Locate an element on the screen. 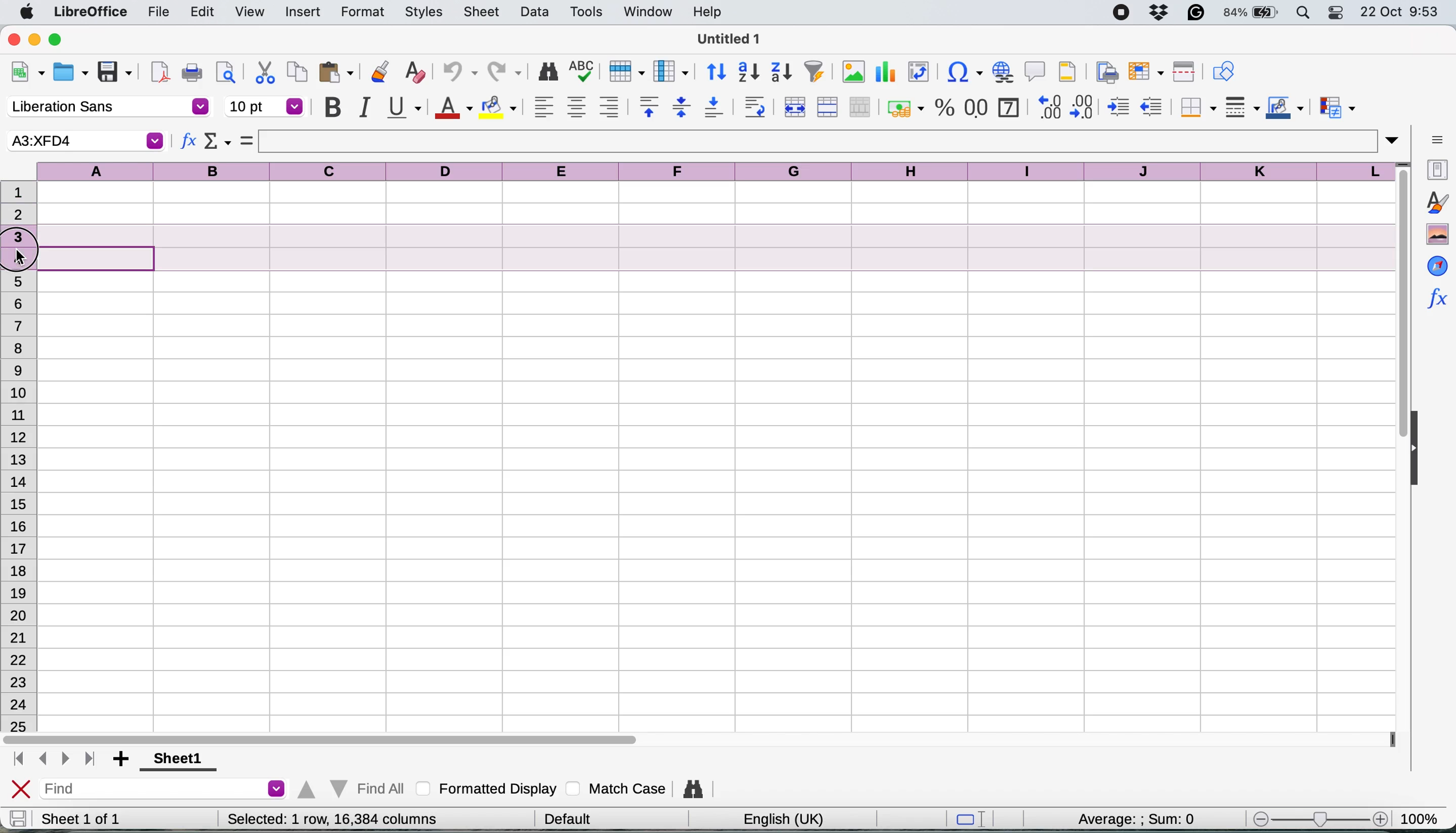 The image size is (1456, 833). system logo is located at coordinates (29, 13).